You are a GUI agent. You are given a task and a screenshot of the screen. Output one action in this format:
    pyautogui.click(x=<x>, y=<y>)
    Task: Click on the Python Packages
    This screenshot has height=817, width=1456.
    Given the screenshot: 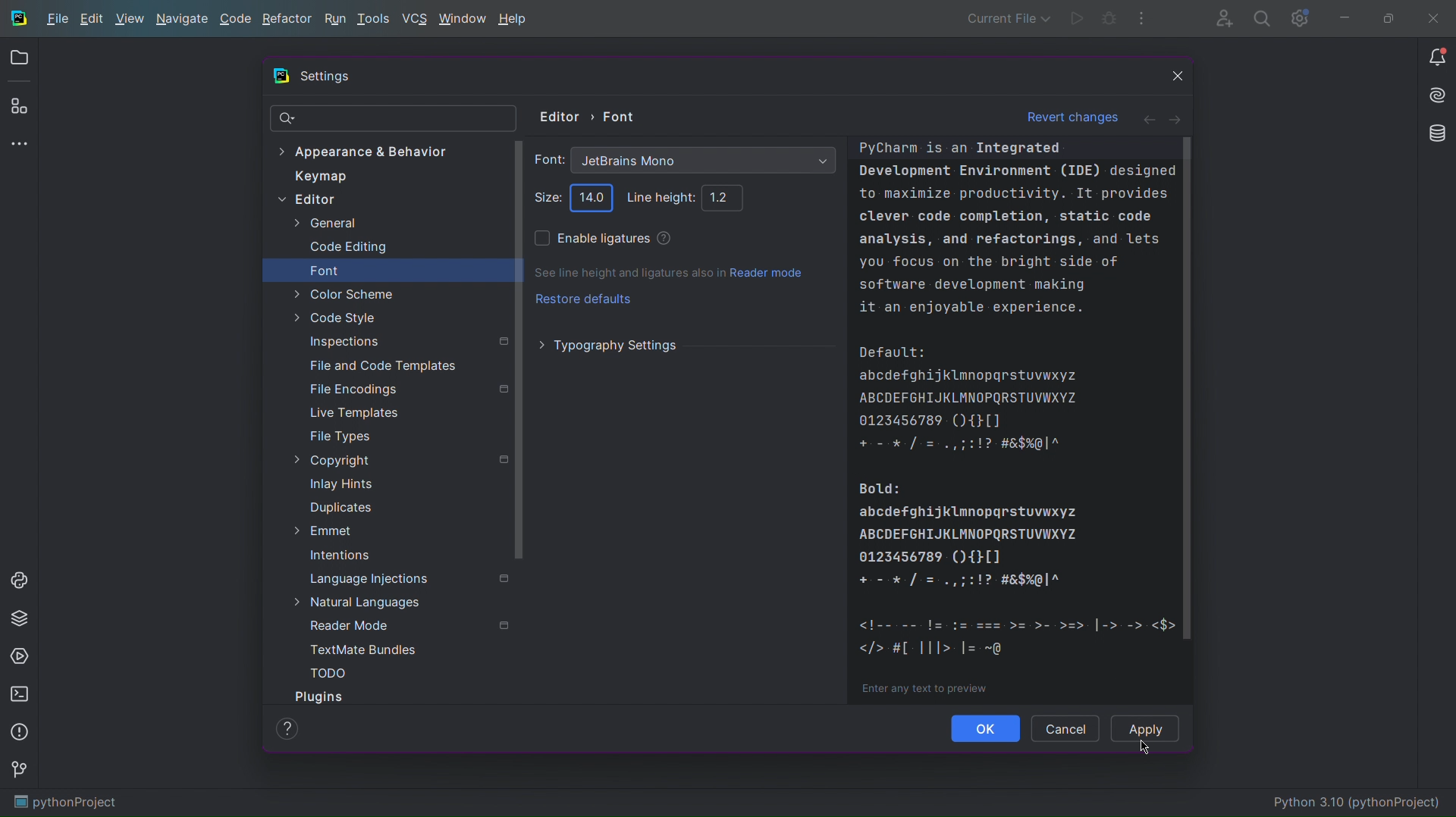 What is the action you would take?
    pyautogui.click(x=21, y=618)
    